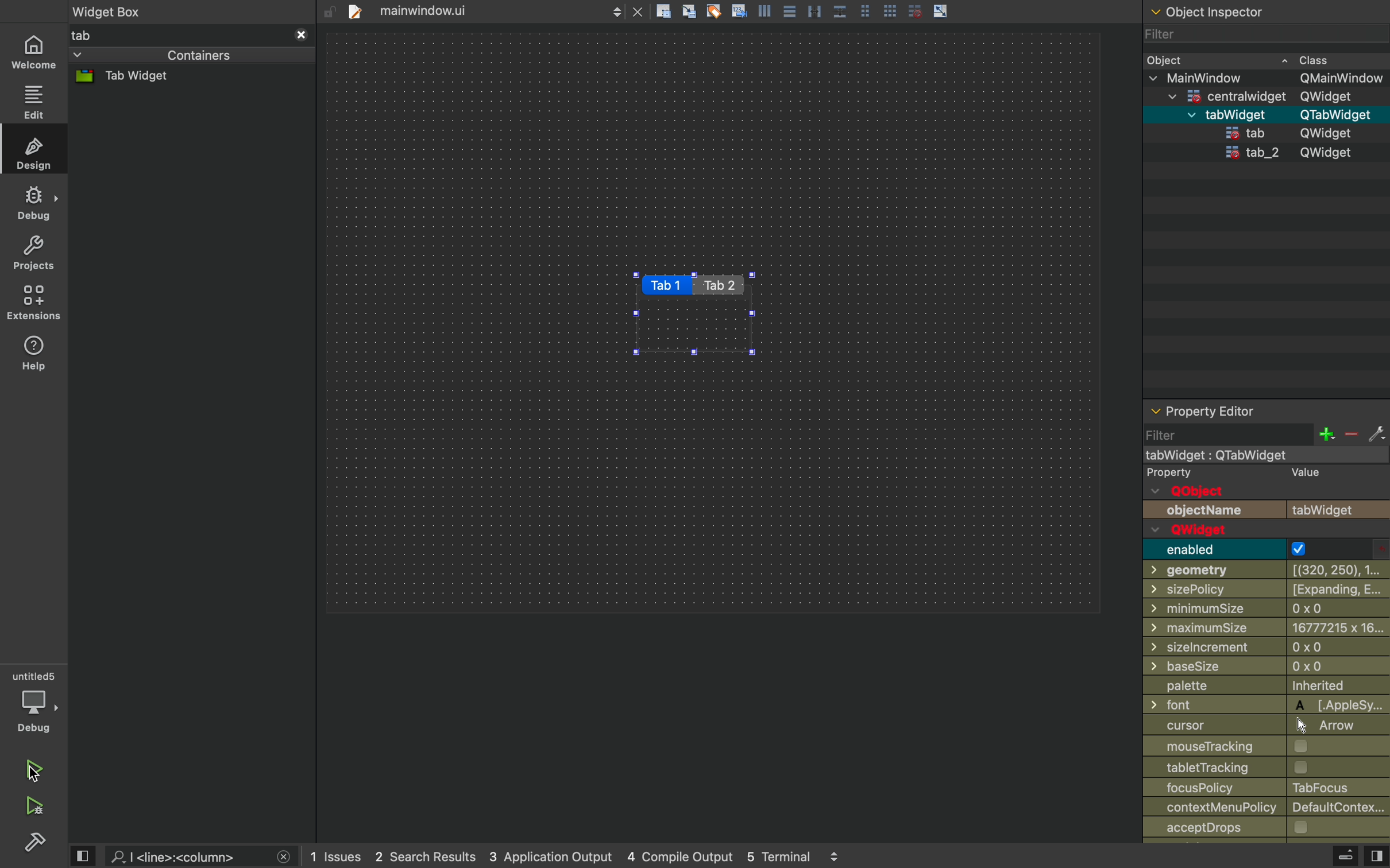 This screenshot has height=868, width=1390. Describe the element at coordinates (1265, 114) in the screenshot. I see `tabwidget` at that location.